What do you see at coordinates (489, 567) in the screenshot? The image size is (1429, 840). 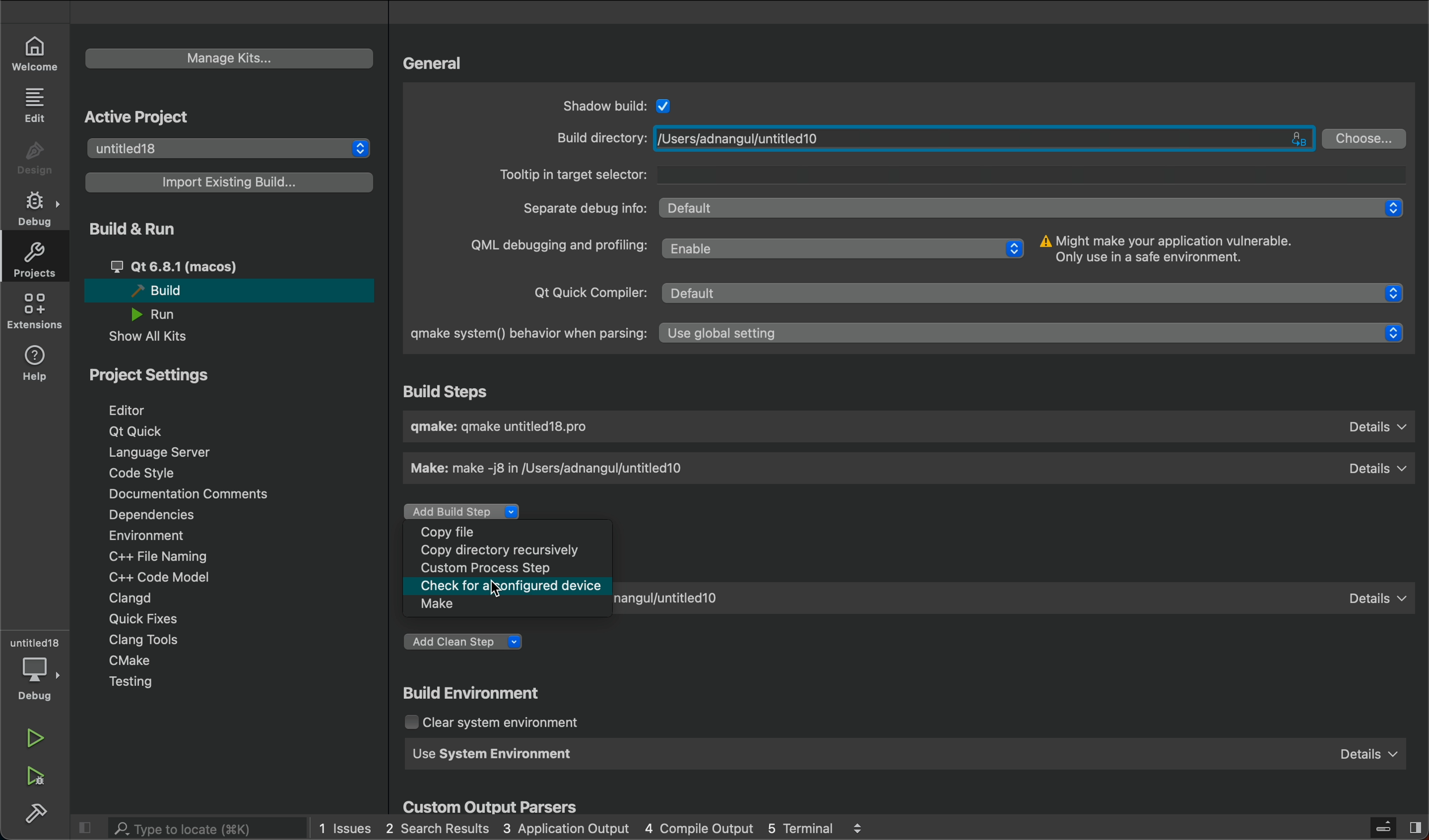 I see `Custom Process Step` at bounding box center [489, 567].